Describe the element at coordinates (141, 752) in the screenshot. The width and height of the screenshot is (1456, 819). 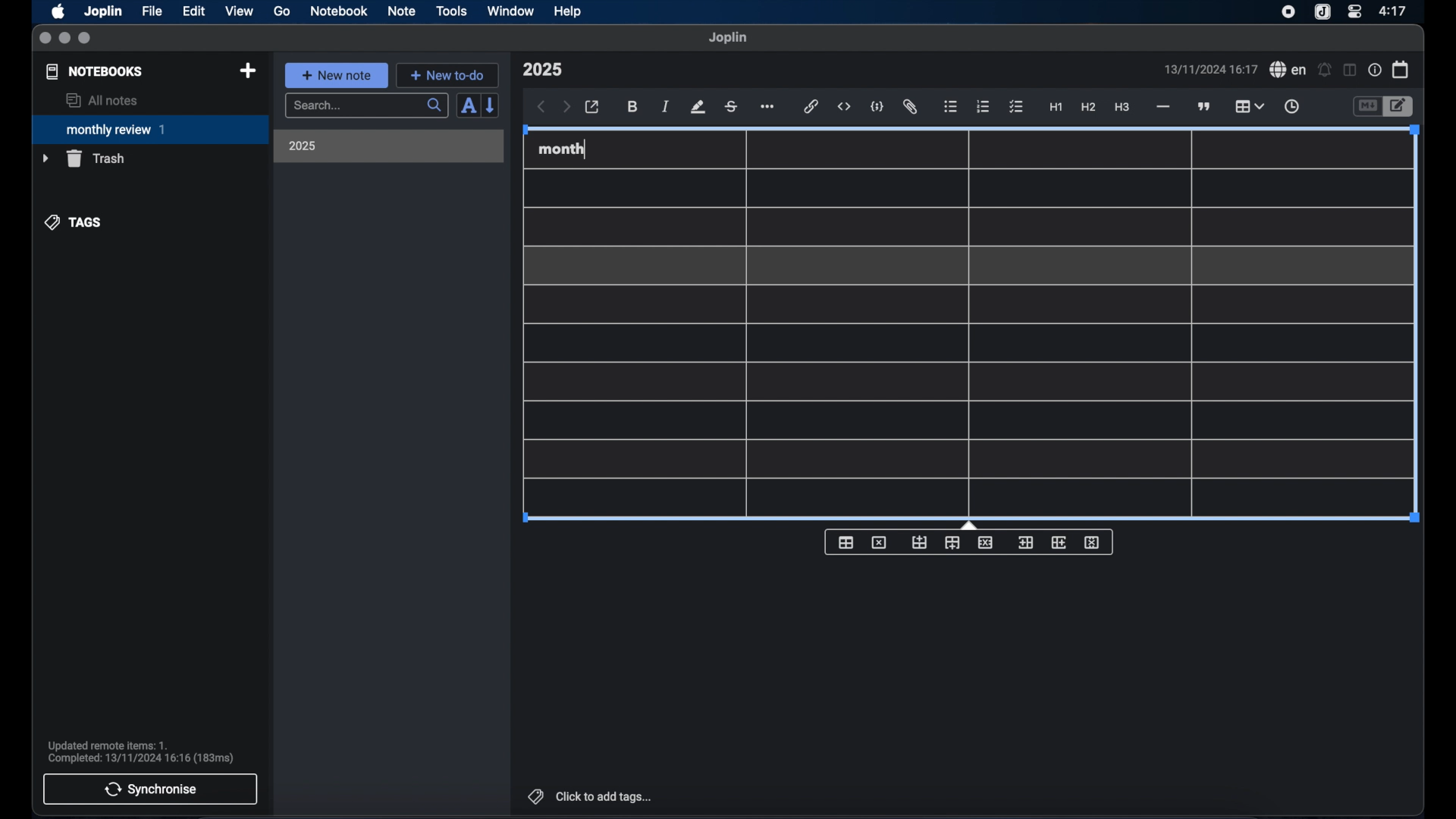
I see `sync notification` at that location.